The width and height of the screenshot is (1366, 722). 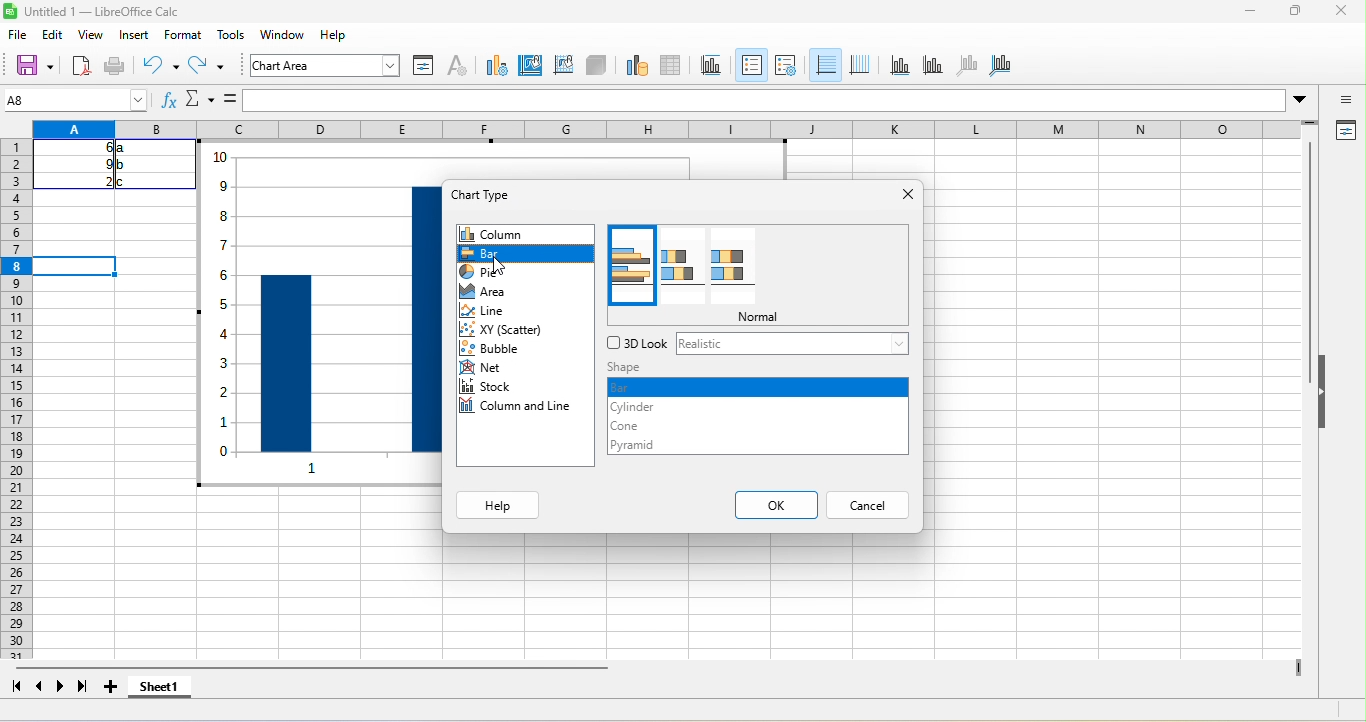 What do you see at coordinates (496, 194) in the screenshot?
I see `chart type` at bounding box center [496, 194].